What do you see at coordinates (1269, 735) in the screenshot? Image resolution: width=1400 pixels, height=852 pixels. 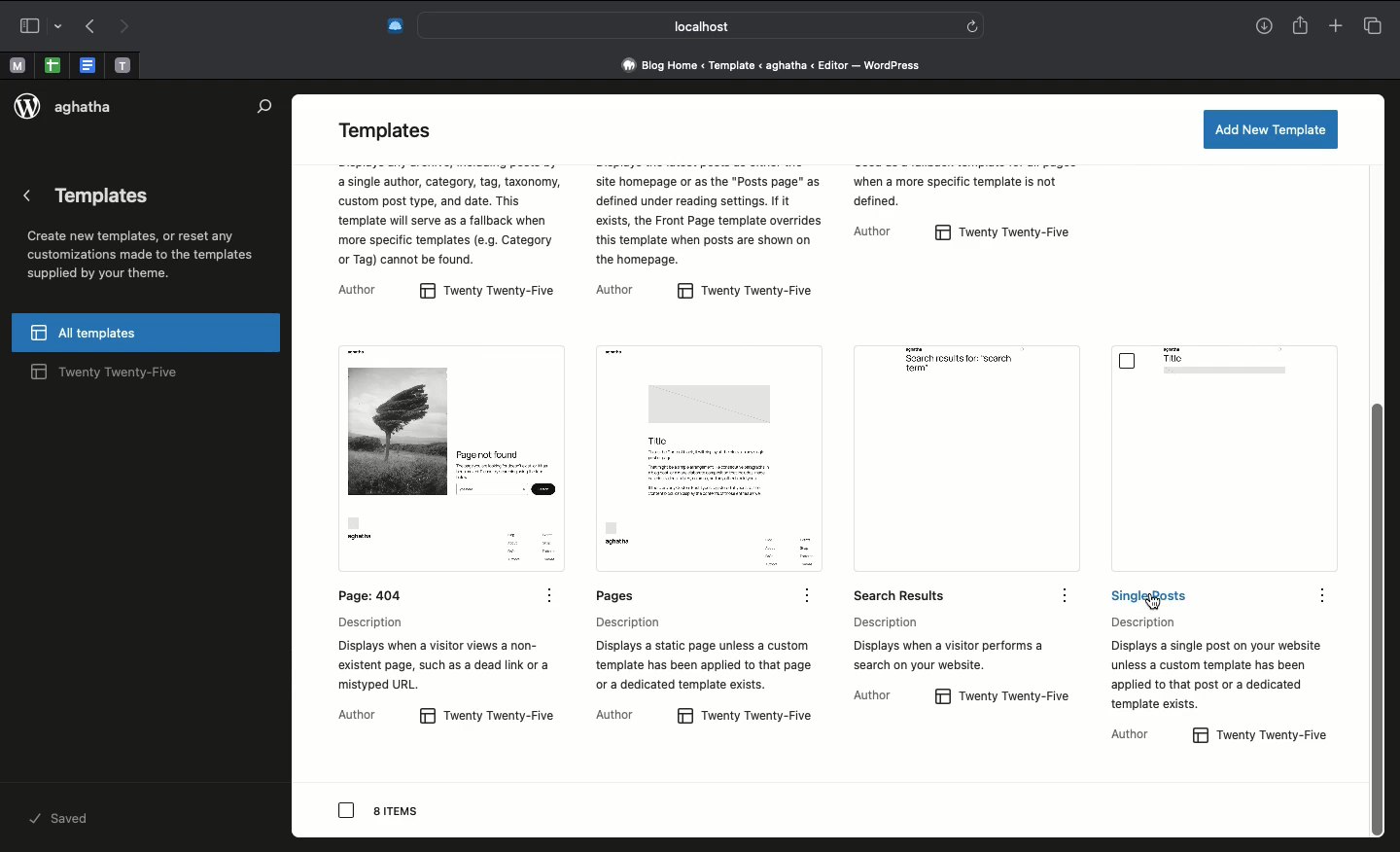 I see `twenty twenty-five` at bounding box center [1269, 735].